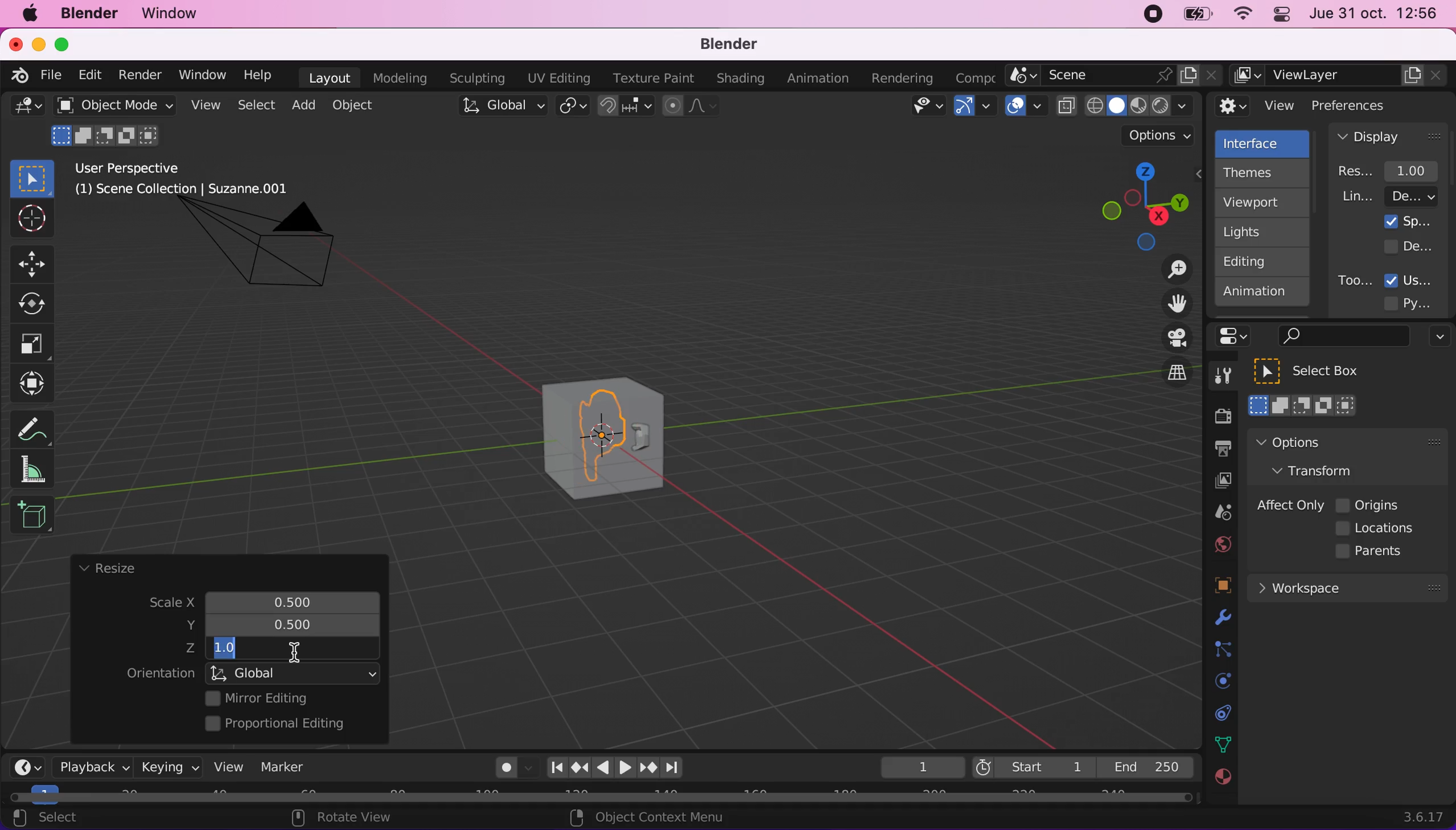 The width and height of the screenshot is (1456, 830). I want to click on user perspective (1) scene collection | suzzane.001, so click(190, 180).